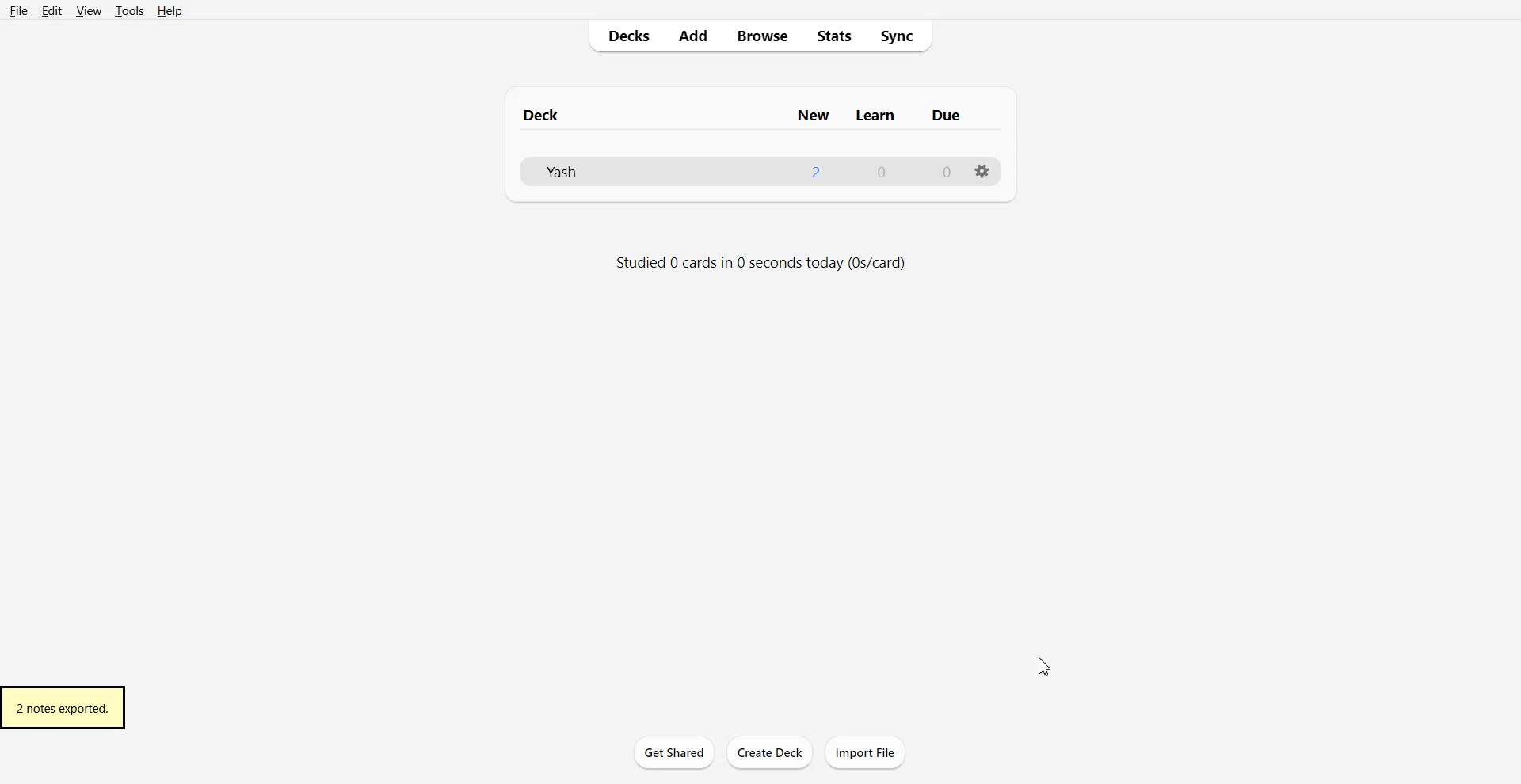 This screenshot has width=1521, height=784. What do you see at coordinates (608, 172) in the screenshot?
I see `Deck File` at bounding box center [608, 172].